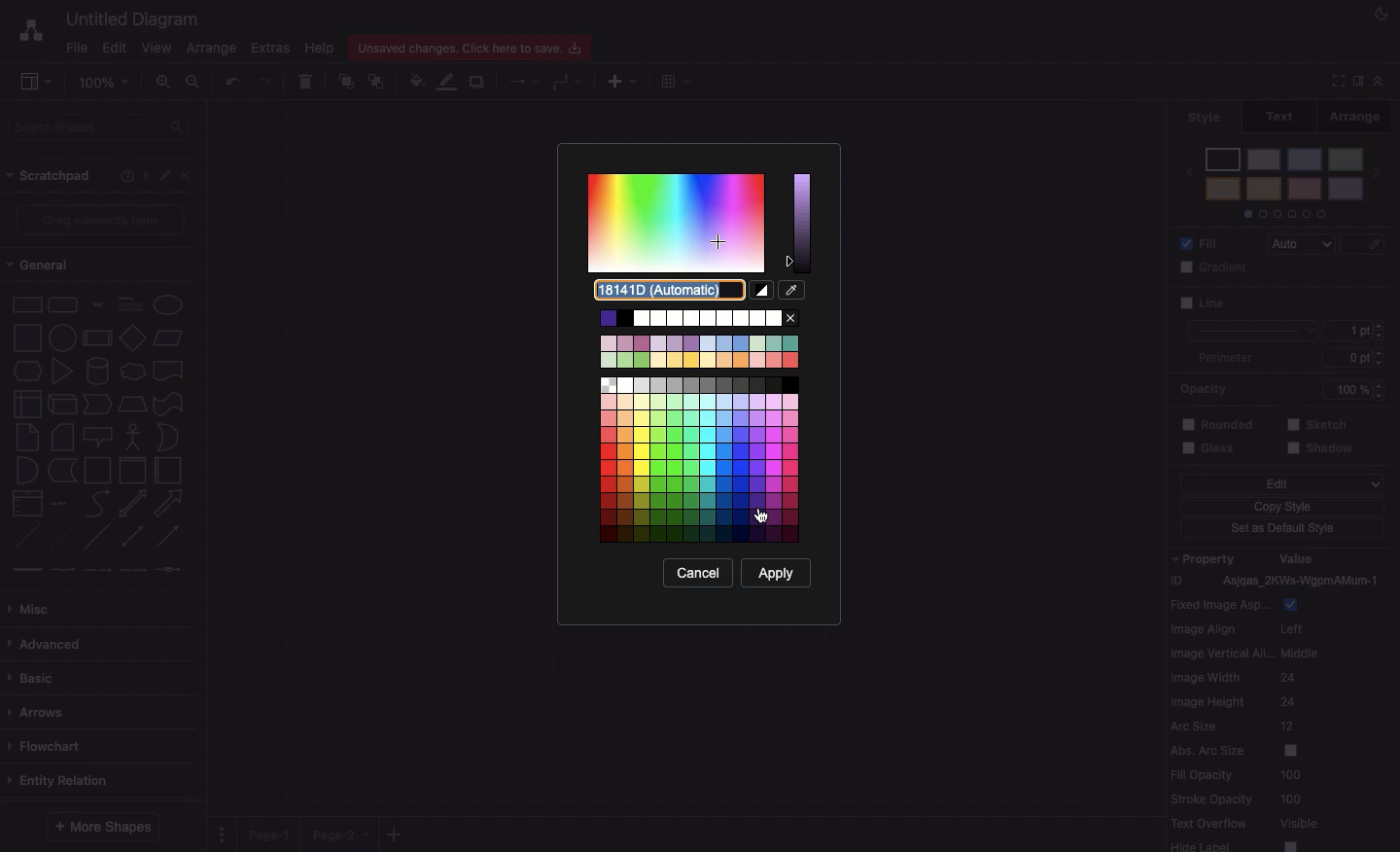 This screenshot has width=1400, height=852. I want to click on Basic, so click(36, 673).